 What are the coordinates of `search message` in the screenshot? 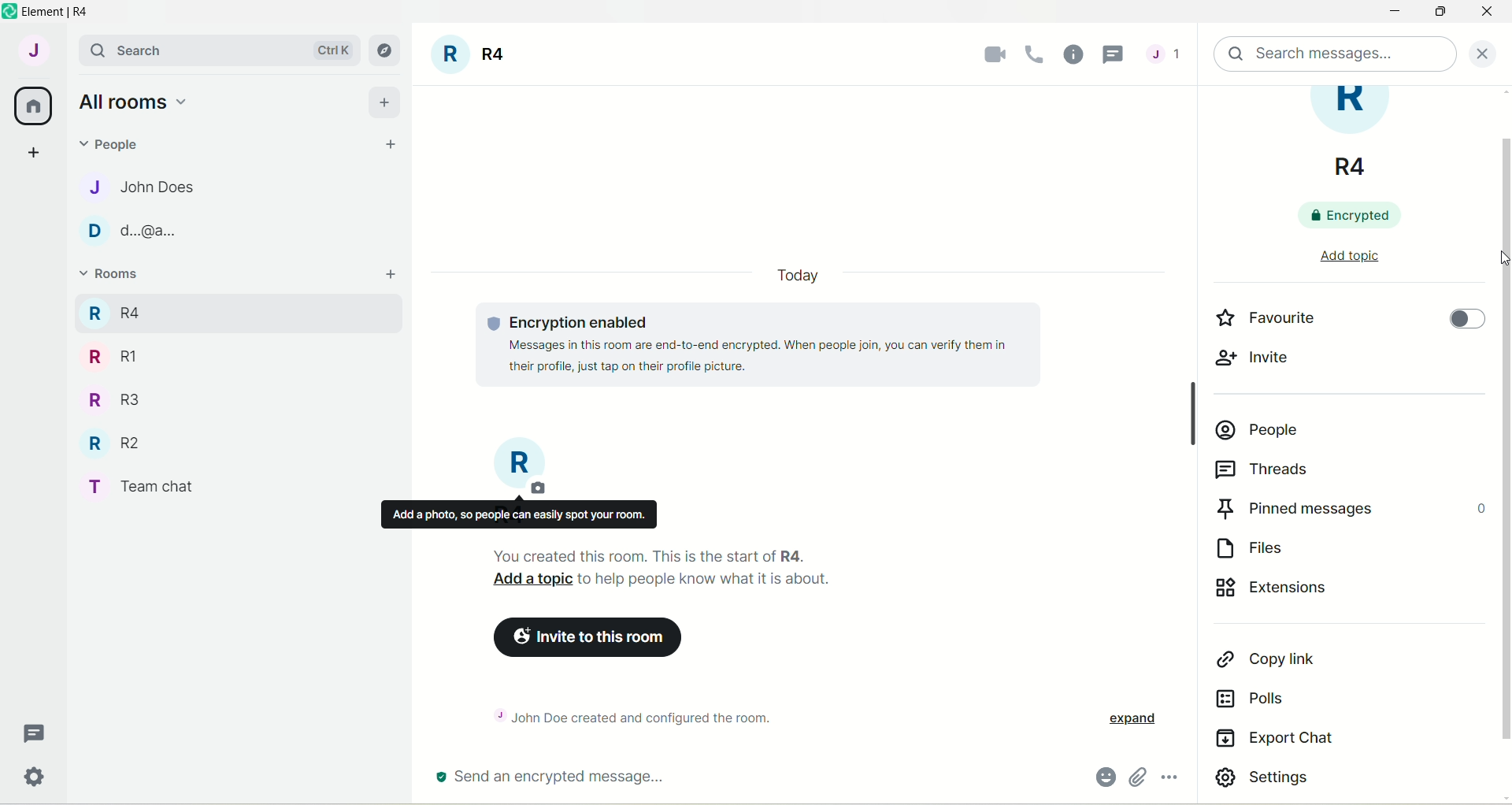 It's located at (1336, 54).